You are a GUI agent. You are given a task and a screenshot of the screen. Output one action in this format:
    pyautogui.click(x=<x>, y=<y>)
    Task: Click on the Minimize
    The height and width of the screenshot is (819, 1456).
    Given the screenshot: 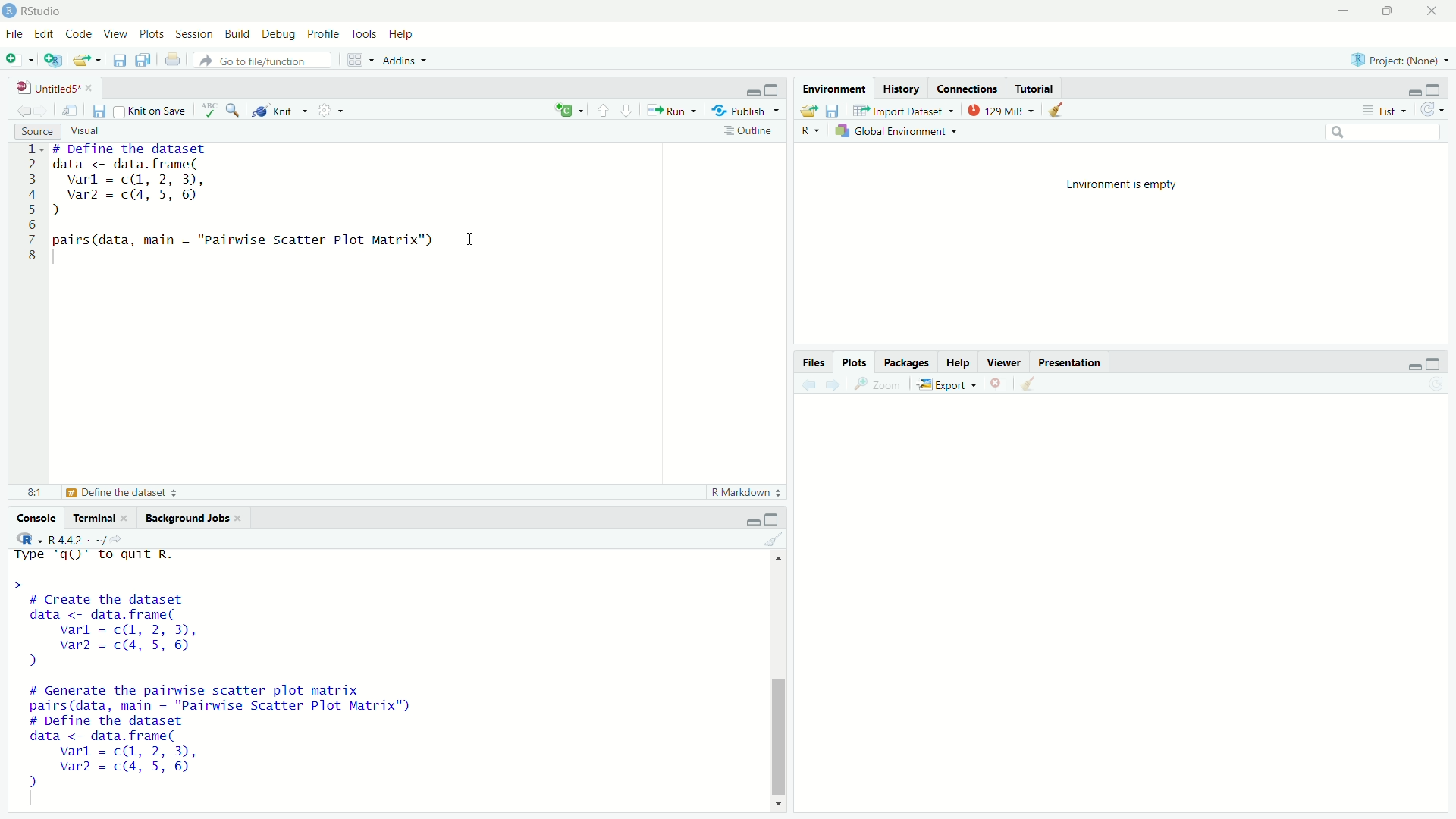 What is the action you would take?
    pyautogui.click(x=1414, y=366)
    